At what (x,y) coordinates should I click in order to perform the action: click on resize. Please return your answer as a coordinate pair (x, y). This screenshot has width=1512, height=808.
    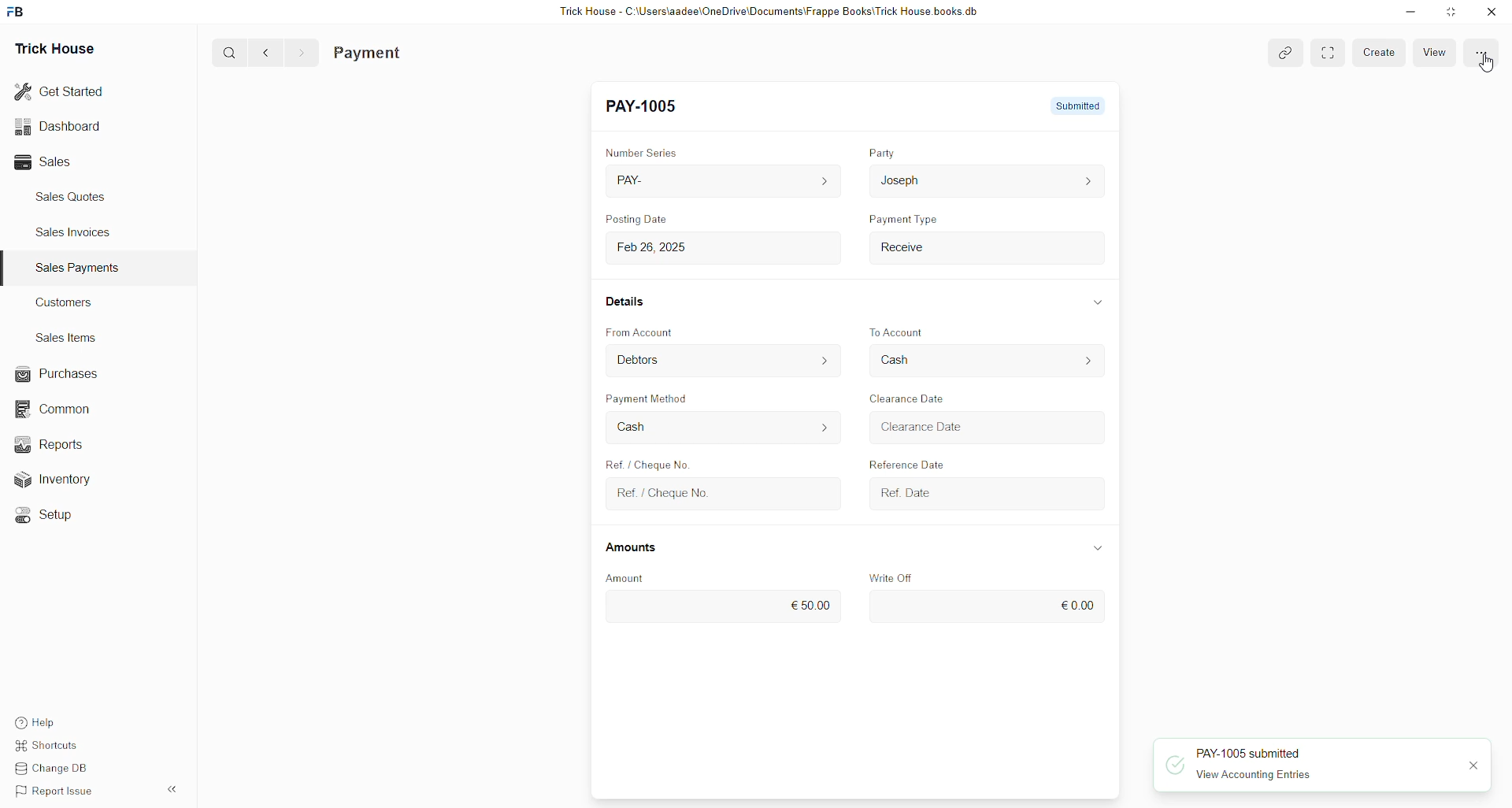
    Looking at the image, I should click on (1452, 12).